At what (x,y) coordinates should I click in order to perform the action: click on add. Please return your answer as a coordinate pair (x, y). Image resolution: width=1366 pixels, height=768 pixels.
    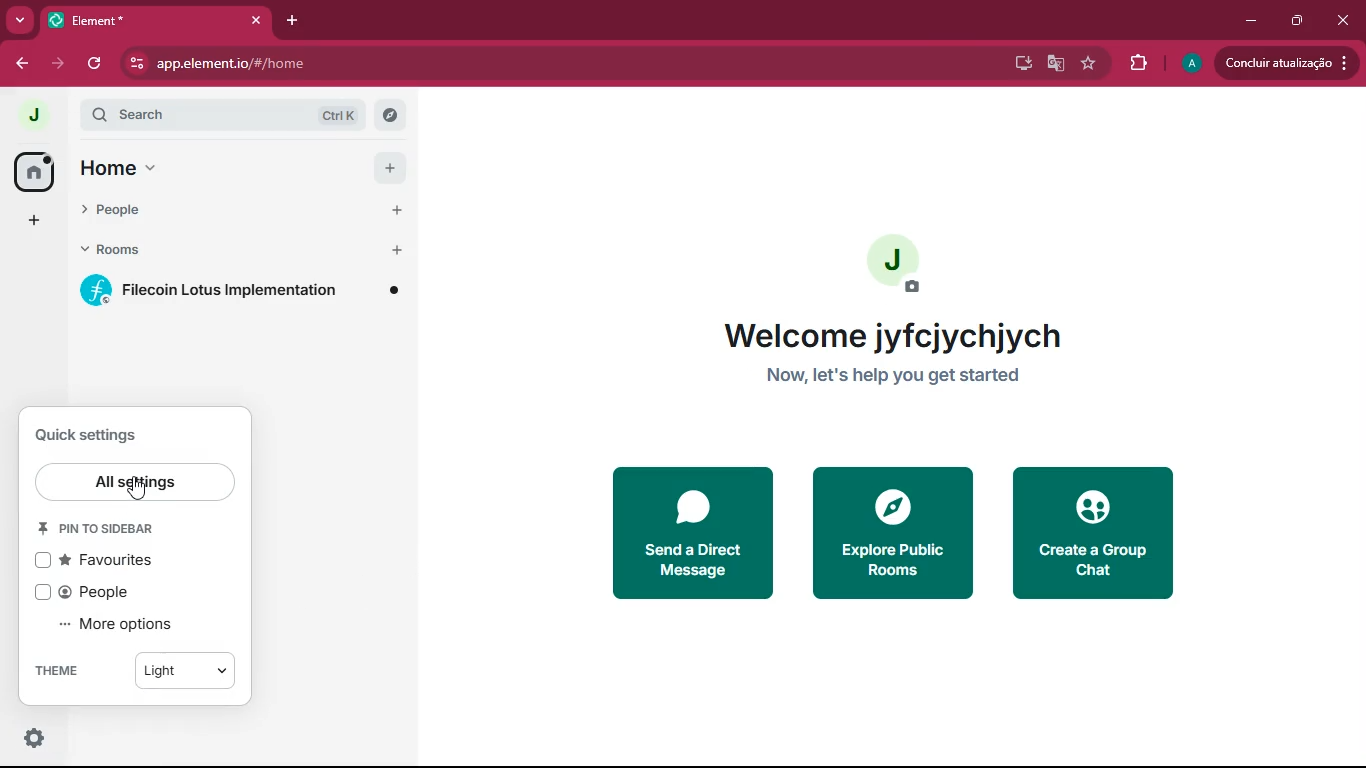
    Looking at the image, I should click on (384, 167).